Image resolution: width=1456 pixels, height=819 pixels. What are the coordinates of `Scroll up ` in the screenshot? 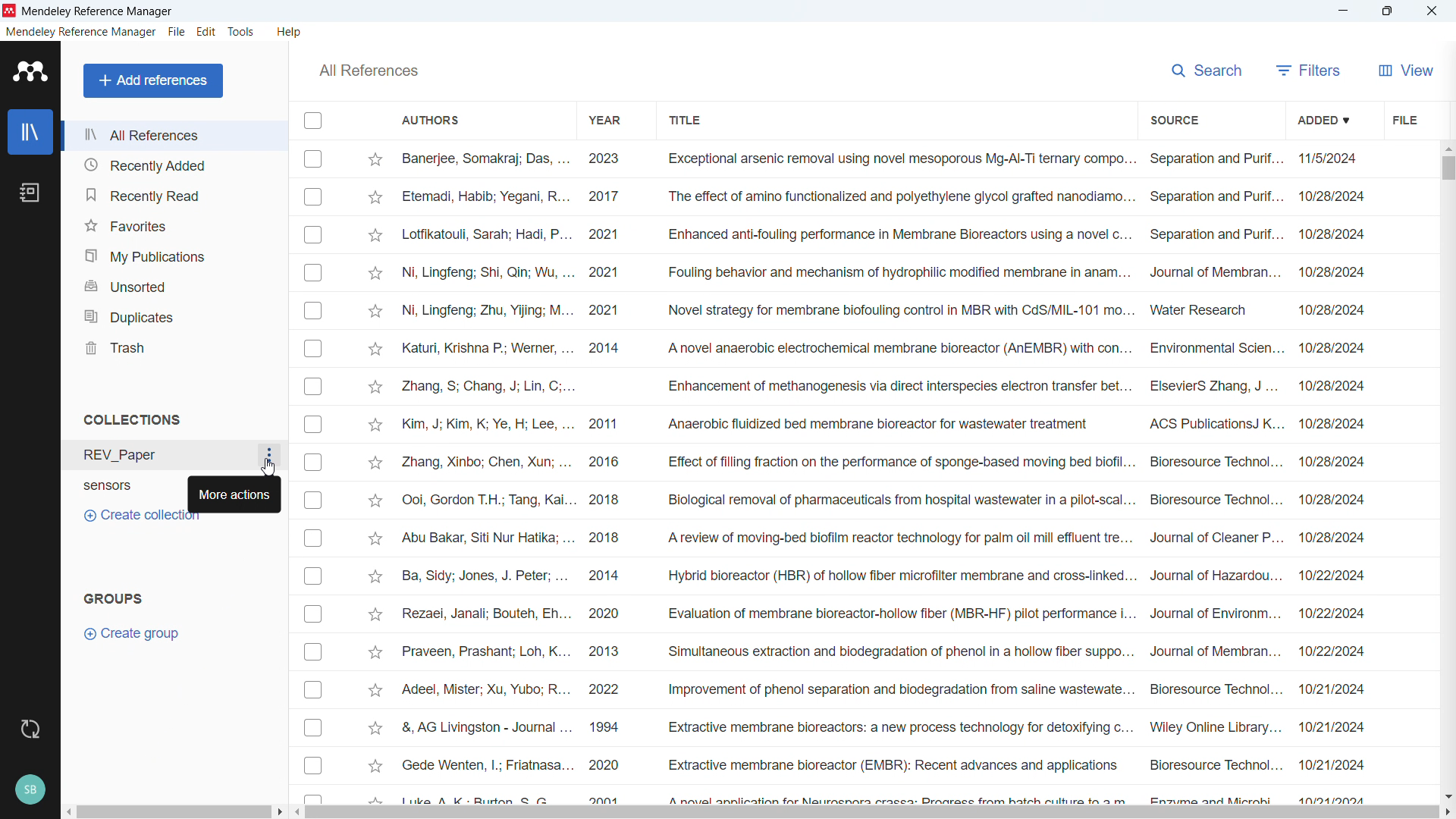 It's located at (1447, 147).